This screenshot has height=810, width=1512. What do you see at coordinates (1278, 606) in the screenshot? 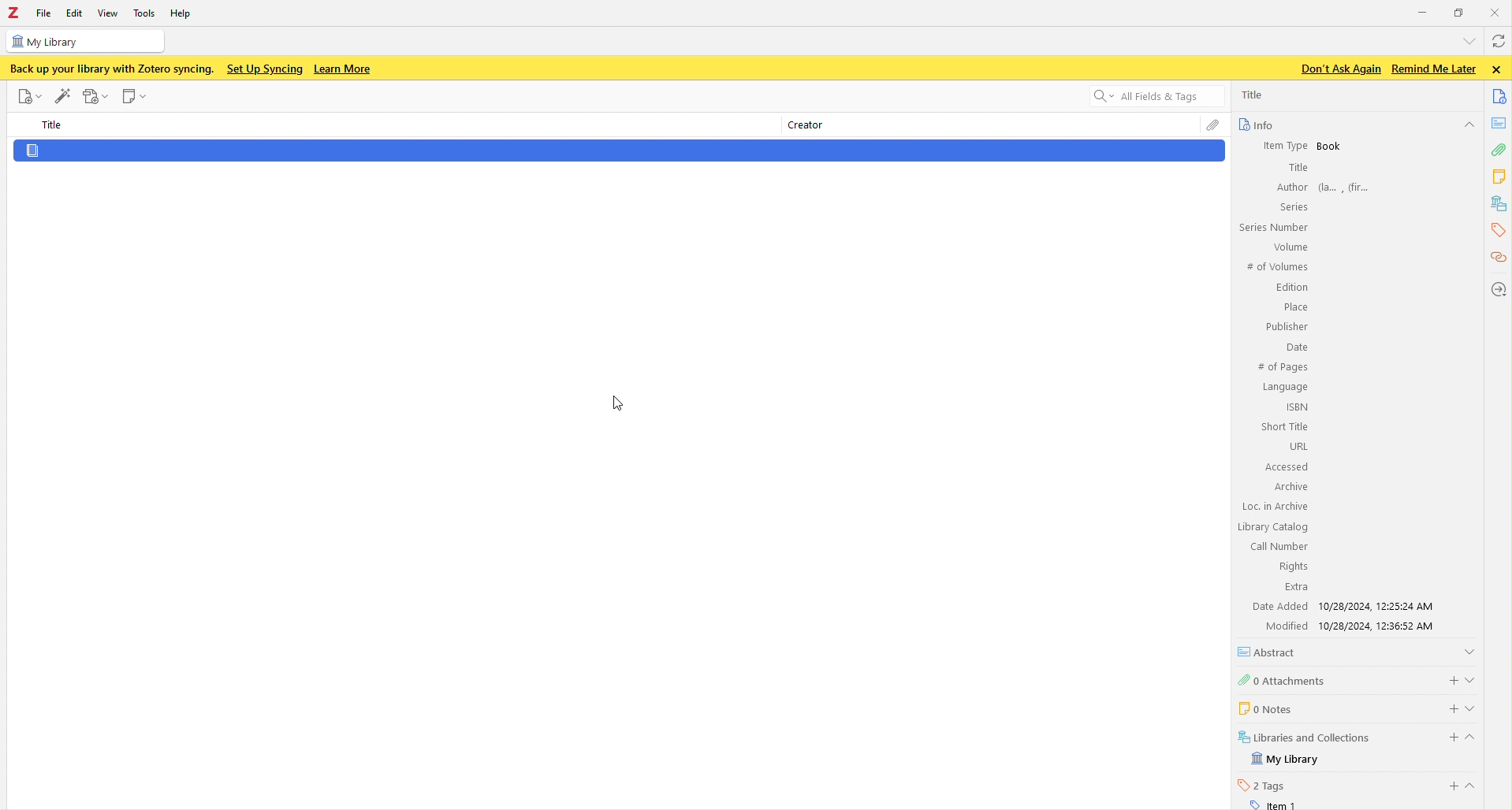
I see `Date Added` at bounding box center [1278, 606].